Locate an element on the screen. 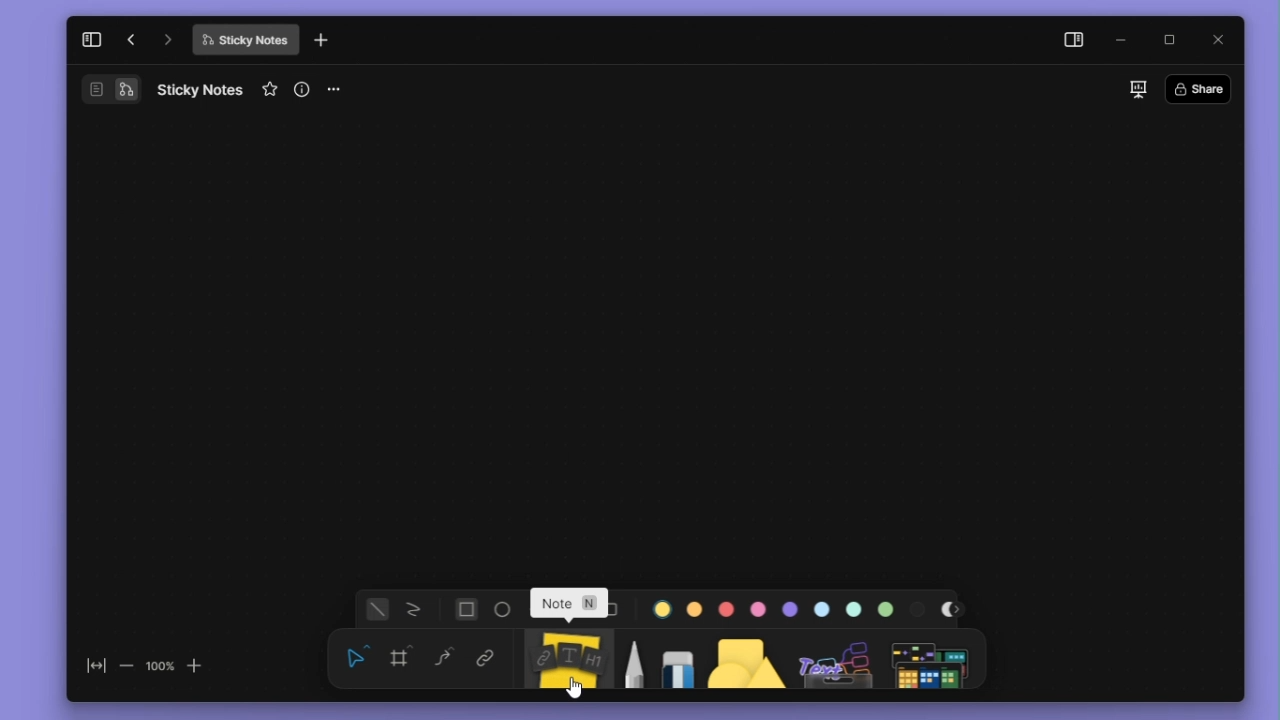  circle is located at coordinates (505, 608).